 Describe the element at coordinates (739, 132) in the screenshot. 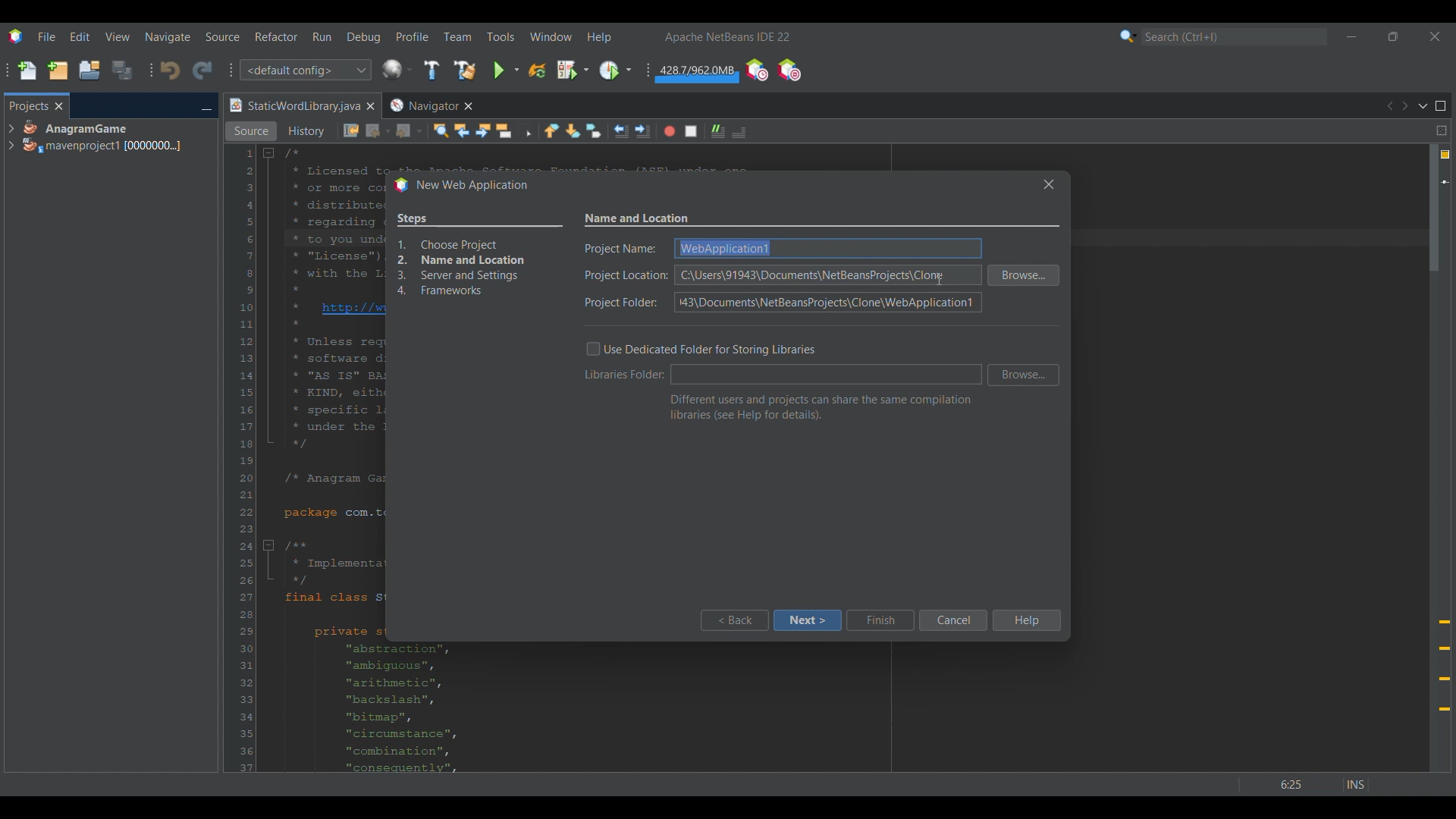

I see `Comment` at that location.